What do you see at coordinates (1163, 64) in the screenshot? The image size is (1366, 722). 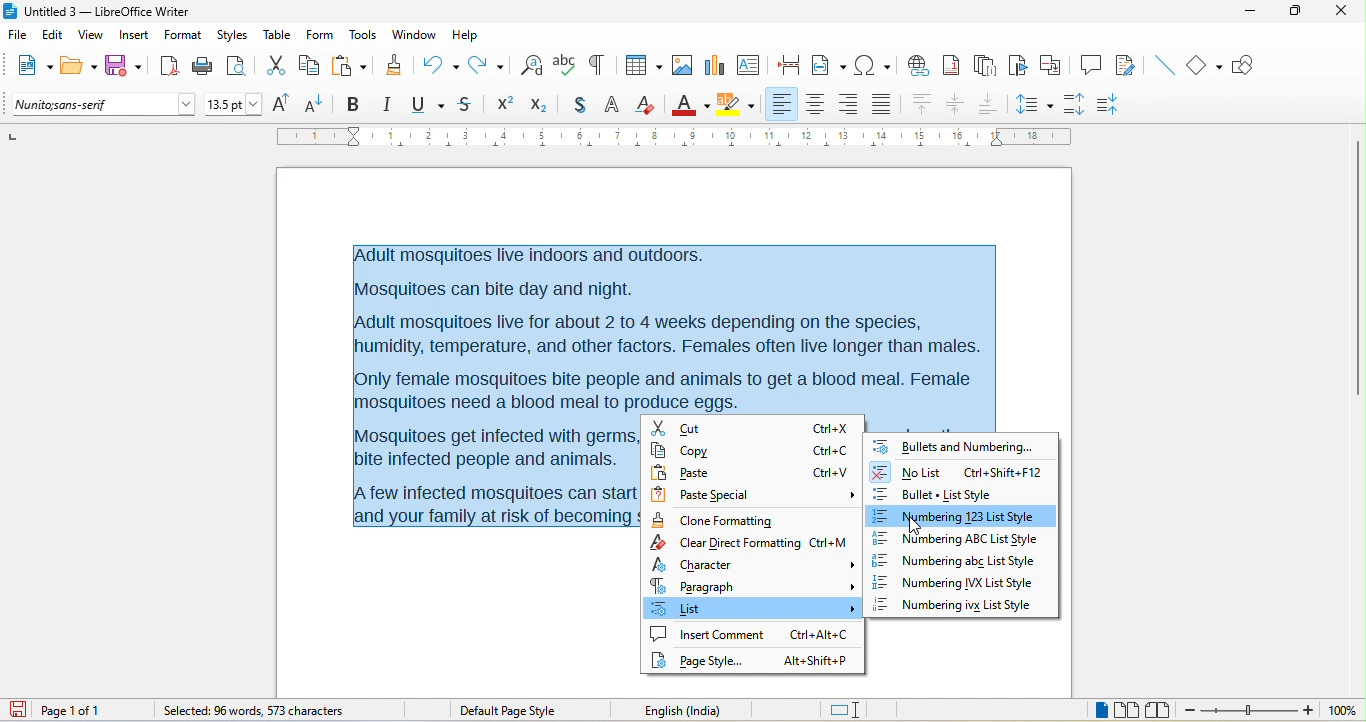 I see `insert line` at bounding box center [1163, 64].